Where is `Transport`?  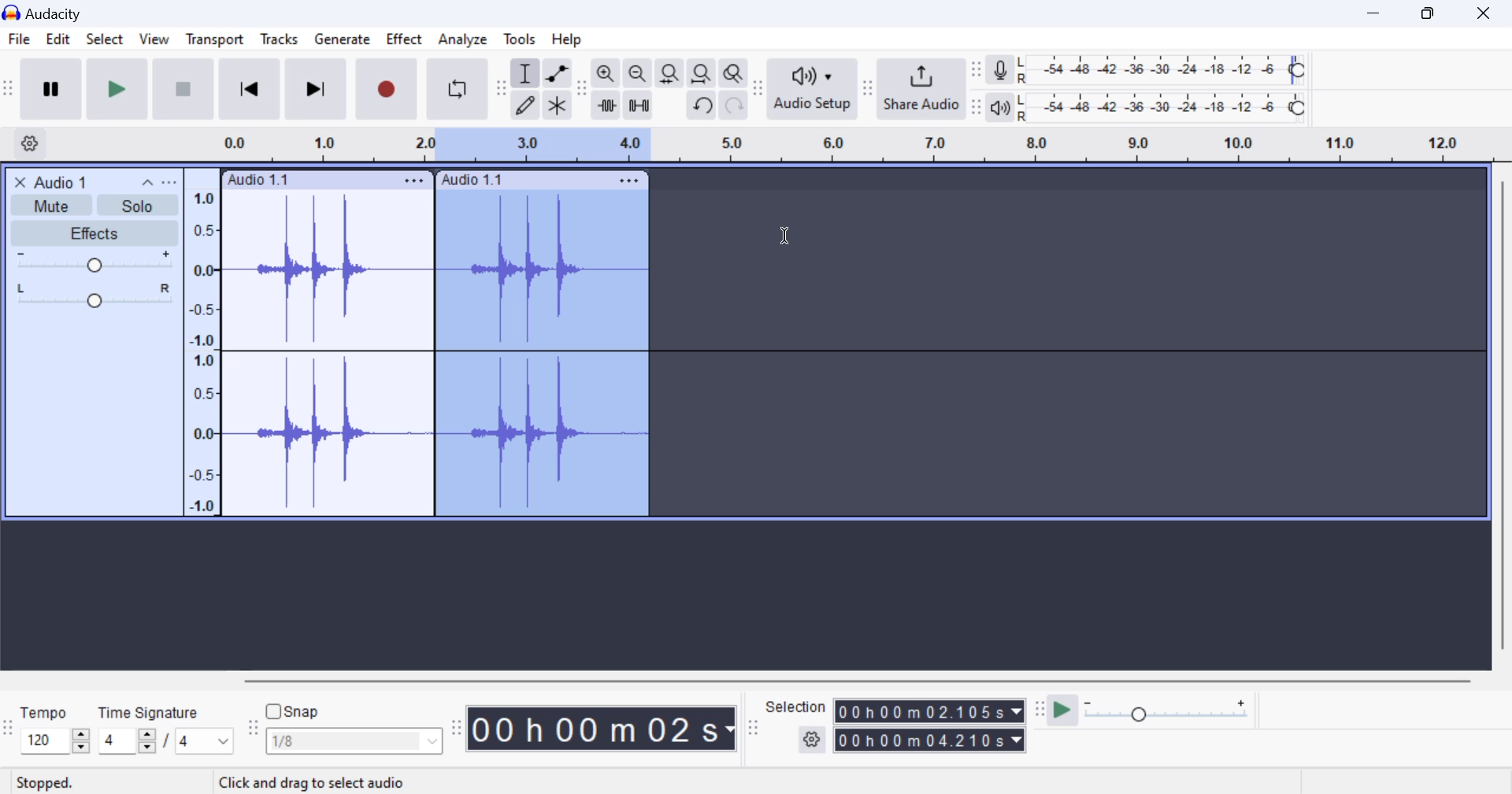 Transport is located at coordinates (214, 42).